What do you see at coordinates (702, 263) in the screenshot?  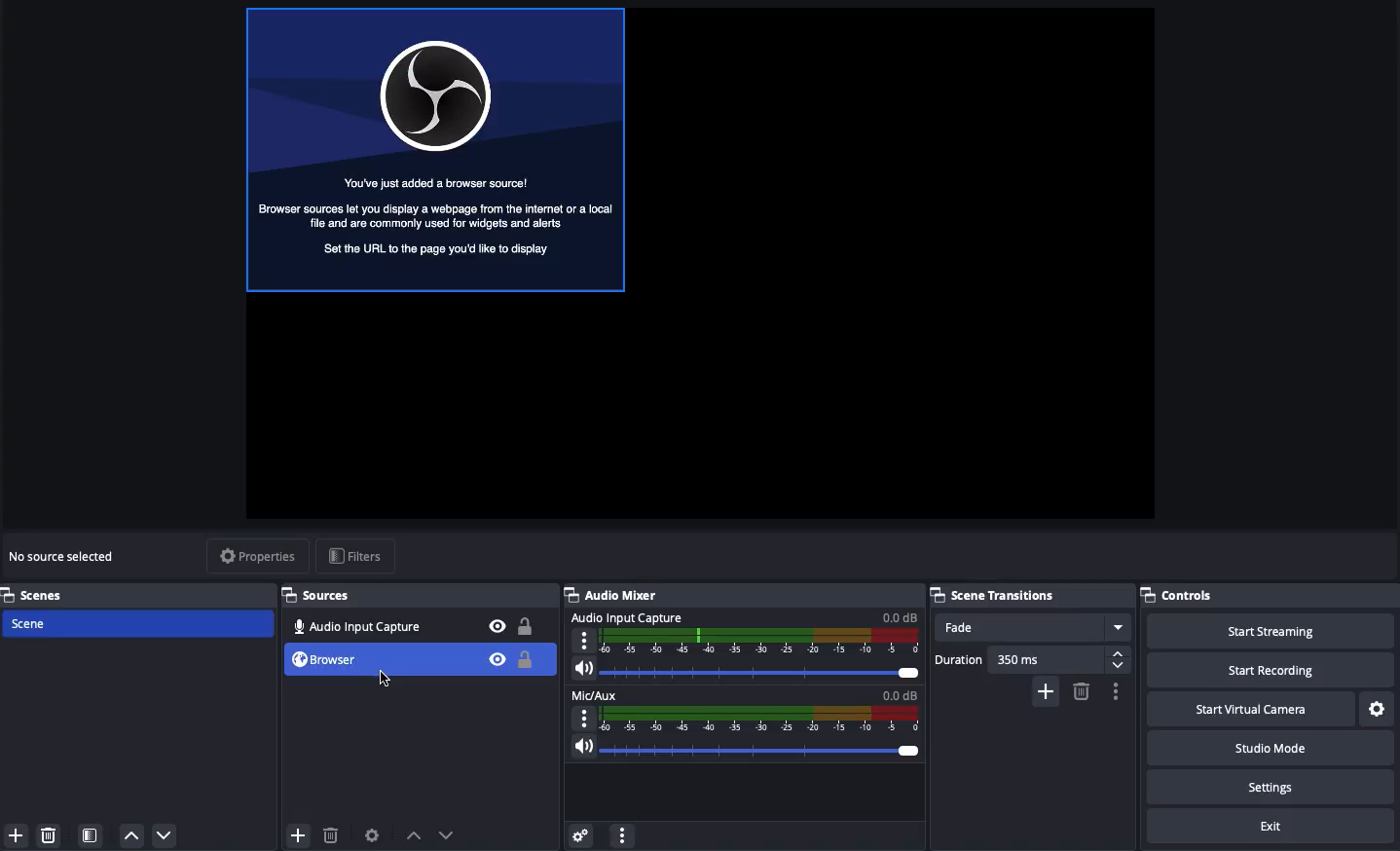 I see `Screen` at bounding box center [702, 263].